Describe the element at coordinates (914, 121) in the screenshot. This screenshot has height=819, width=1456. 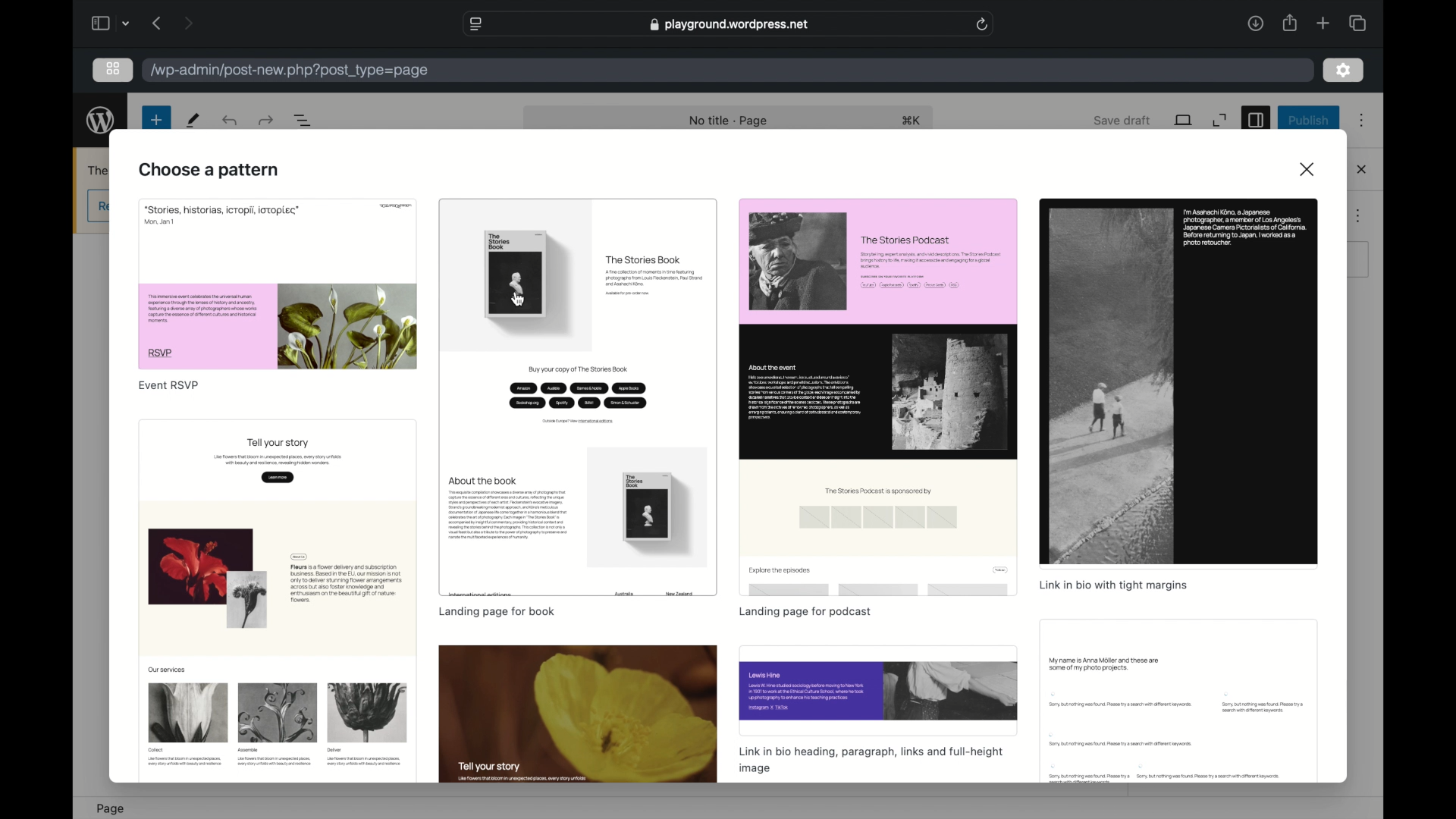
I see `shortcut` at that location.